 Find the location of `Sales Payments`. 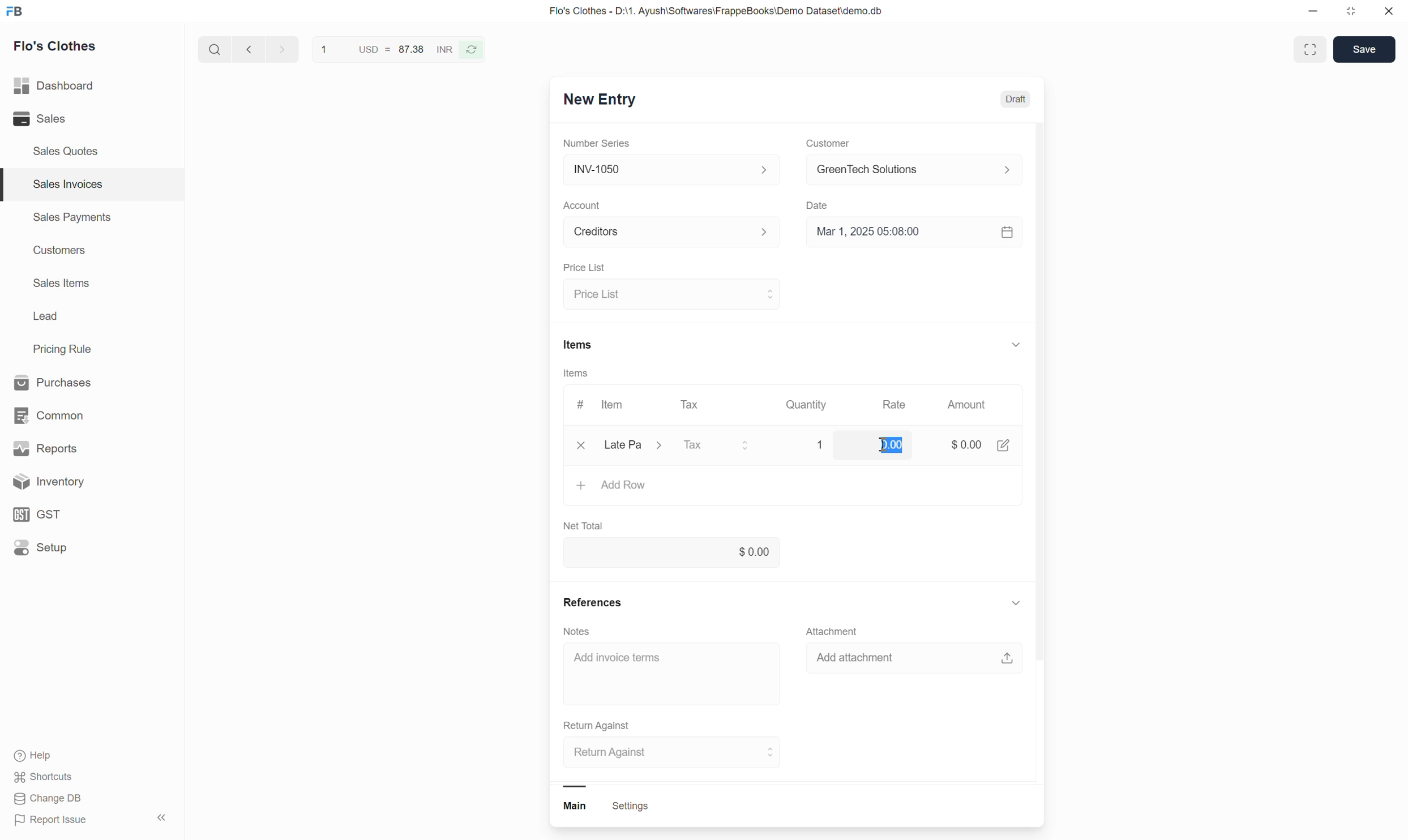

Sales Payments is located at coordinates (71, 219).